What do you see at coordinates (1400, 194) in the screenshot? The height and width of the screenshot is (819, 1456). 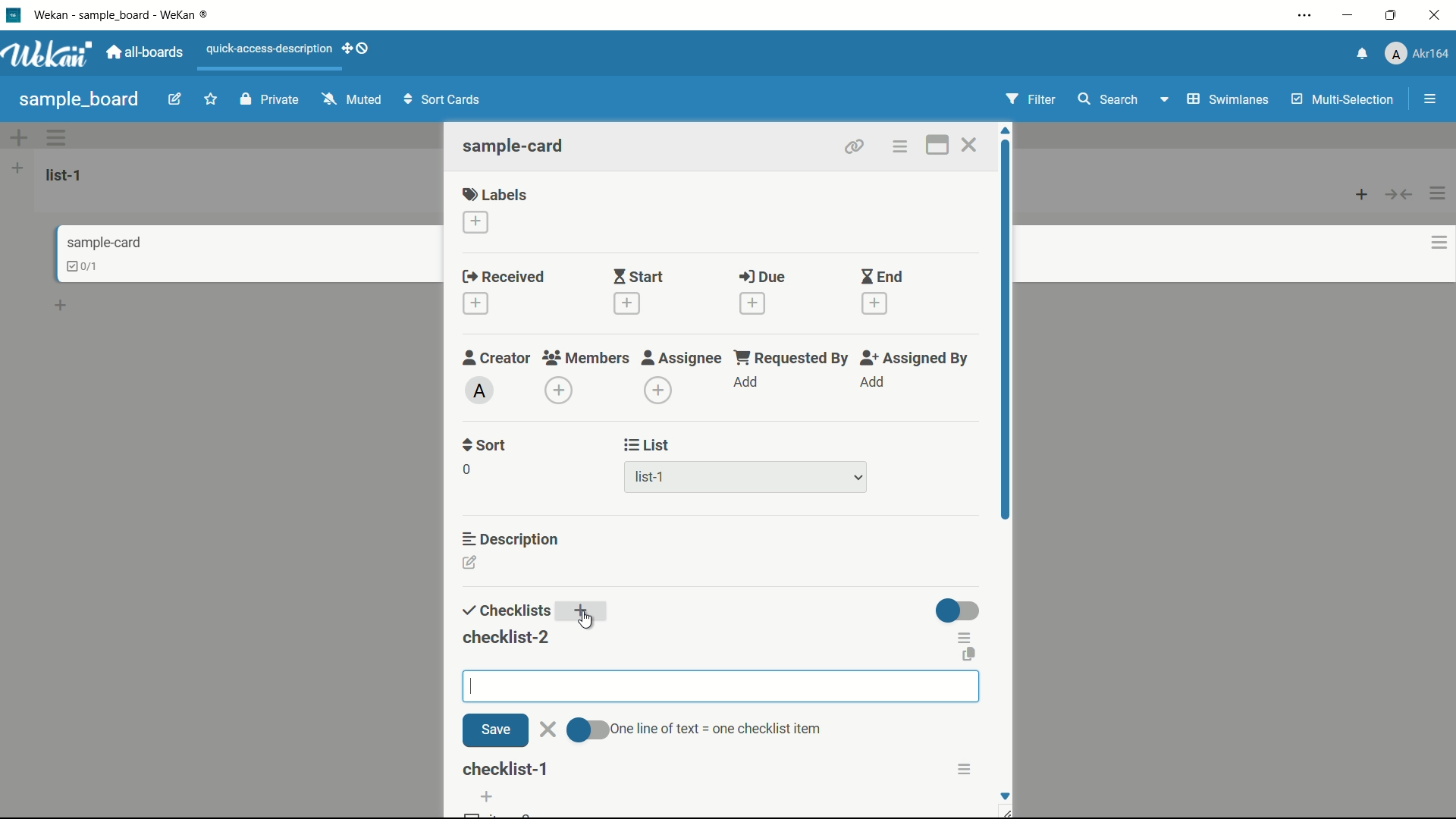 I see `collapse` at bounding box center [1400, 194].